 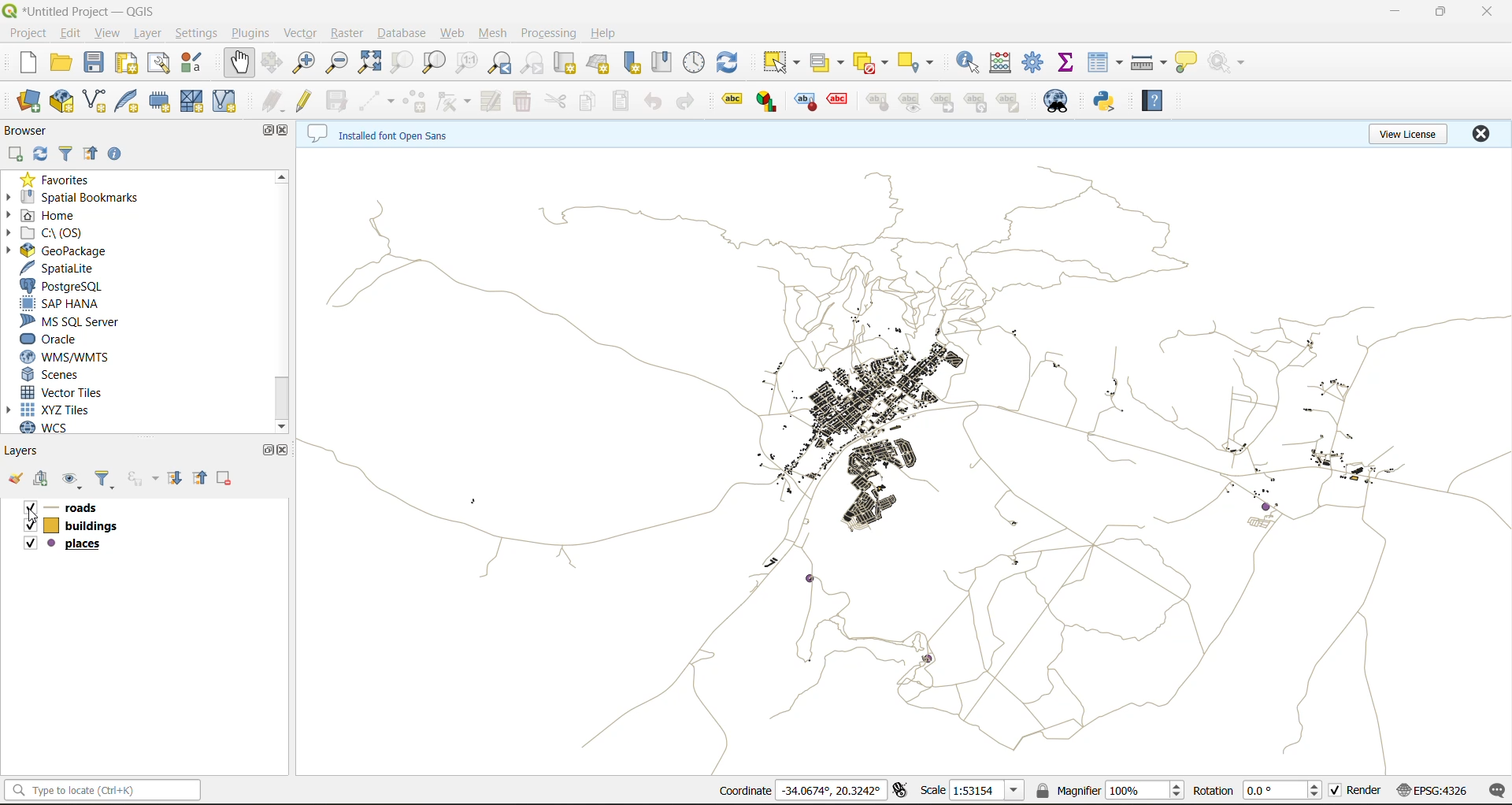 I want to click on maximize, so click(x=270, y=448).